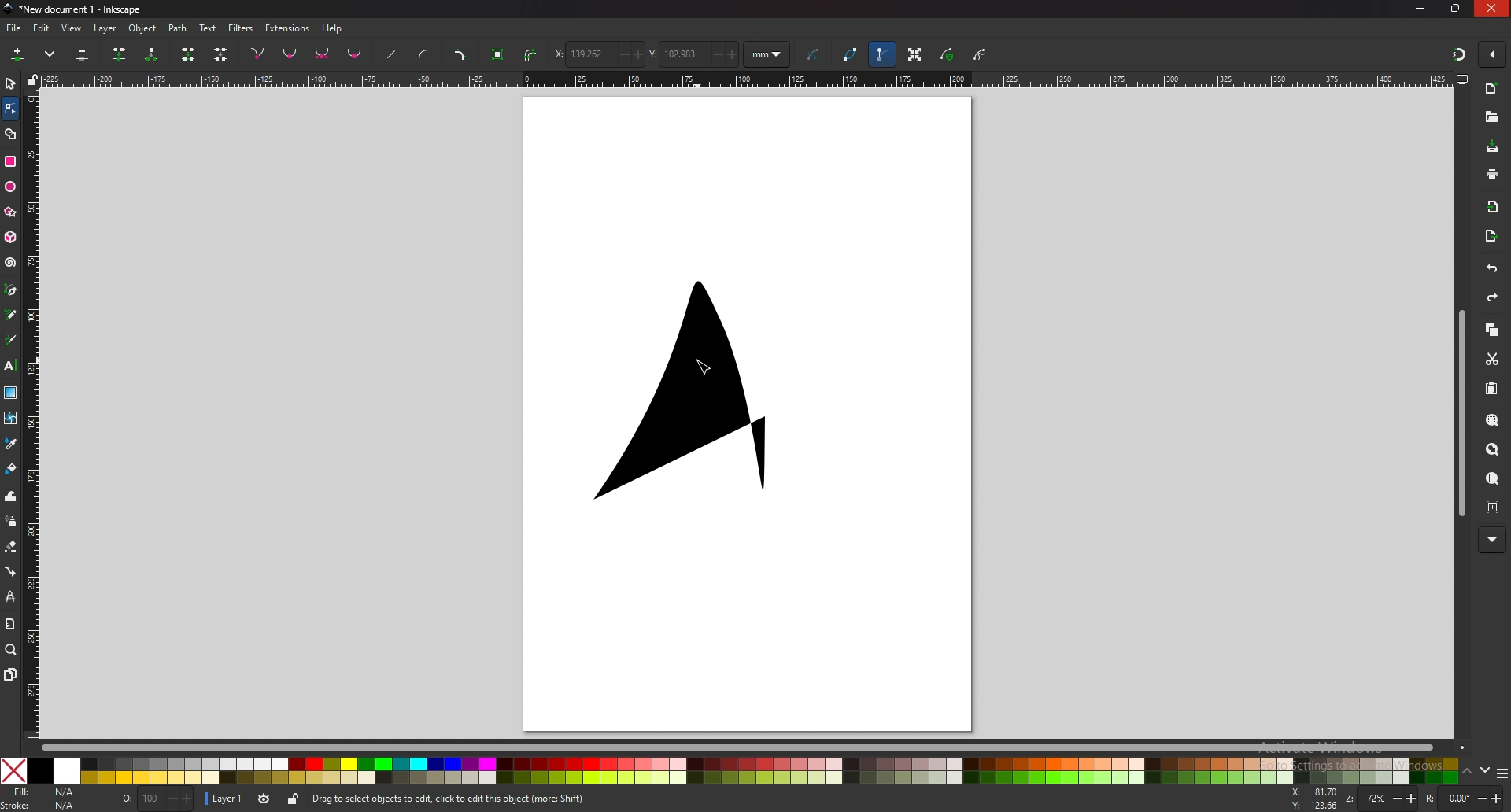  What do you see at coordinates (153, 54) in the screenshot?
I see `break paths` at bounding box center [153, 54].